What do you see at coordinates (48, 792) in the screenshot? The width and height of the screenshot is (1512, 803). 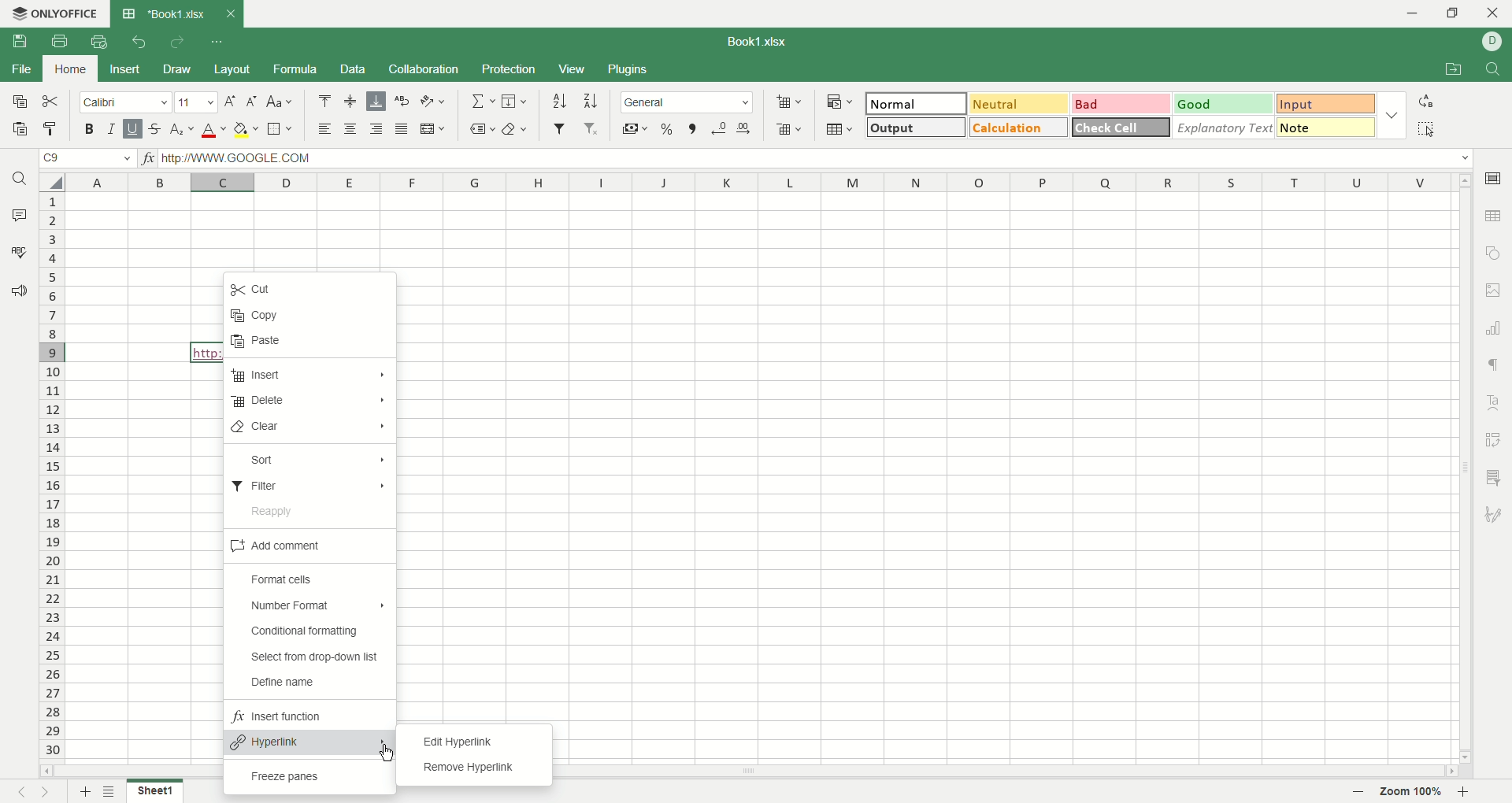 I see `next` at bounding box center [48, 792].